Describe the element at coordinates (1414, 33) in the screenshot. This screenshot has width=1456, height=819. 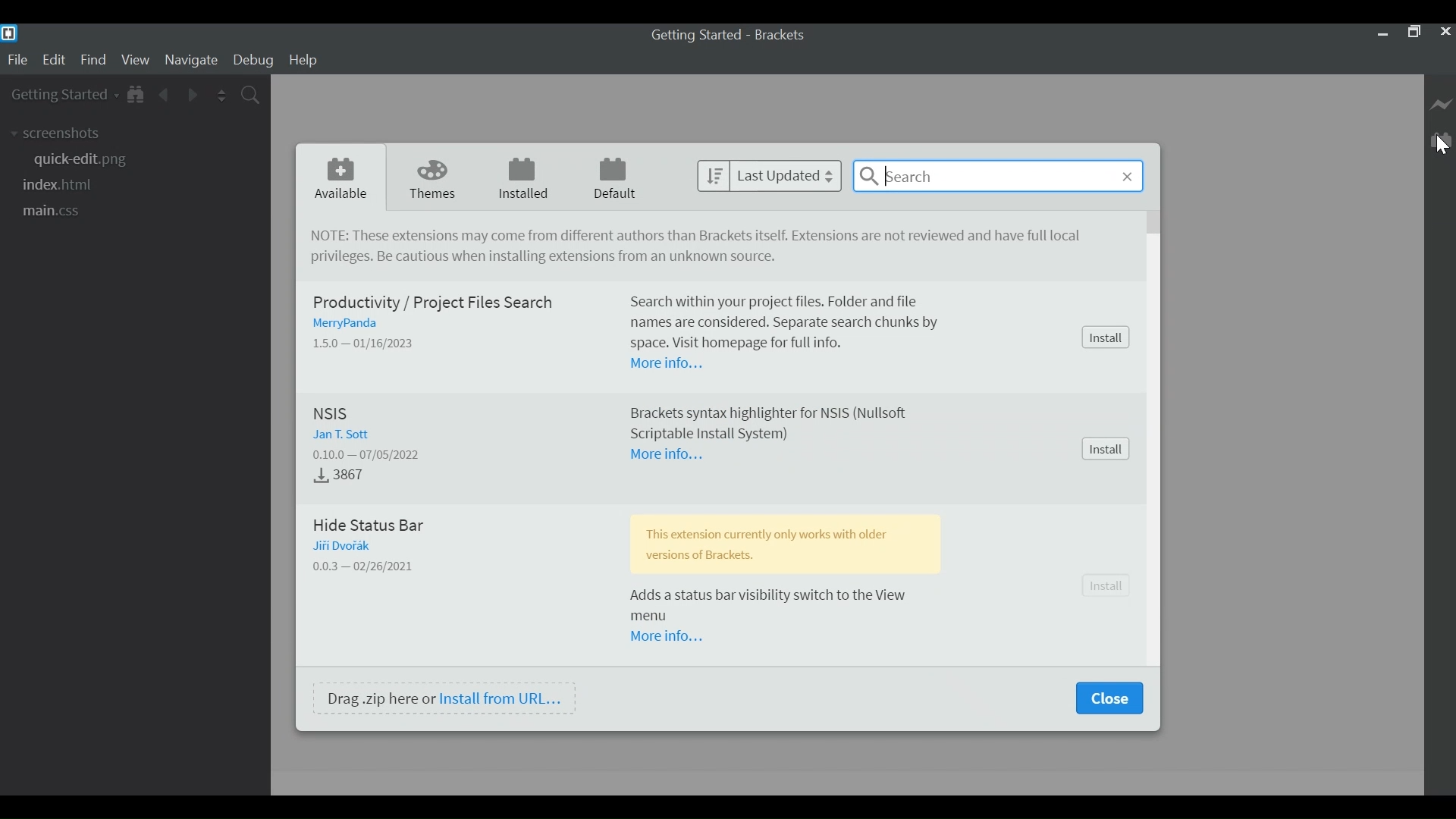
I see `Restore` at that location.